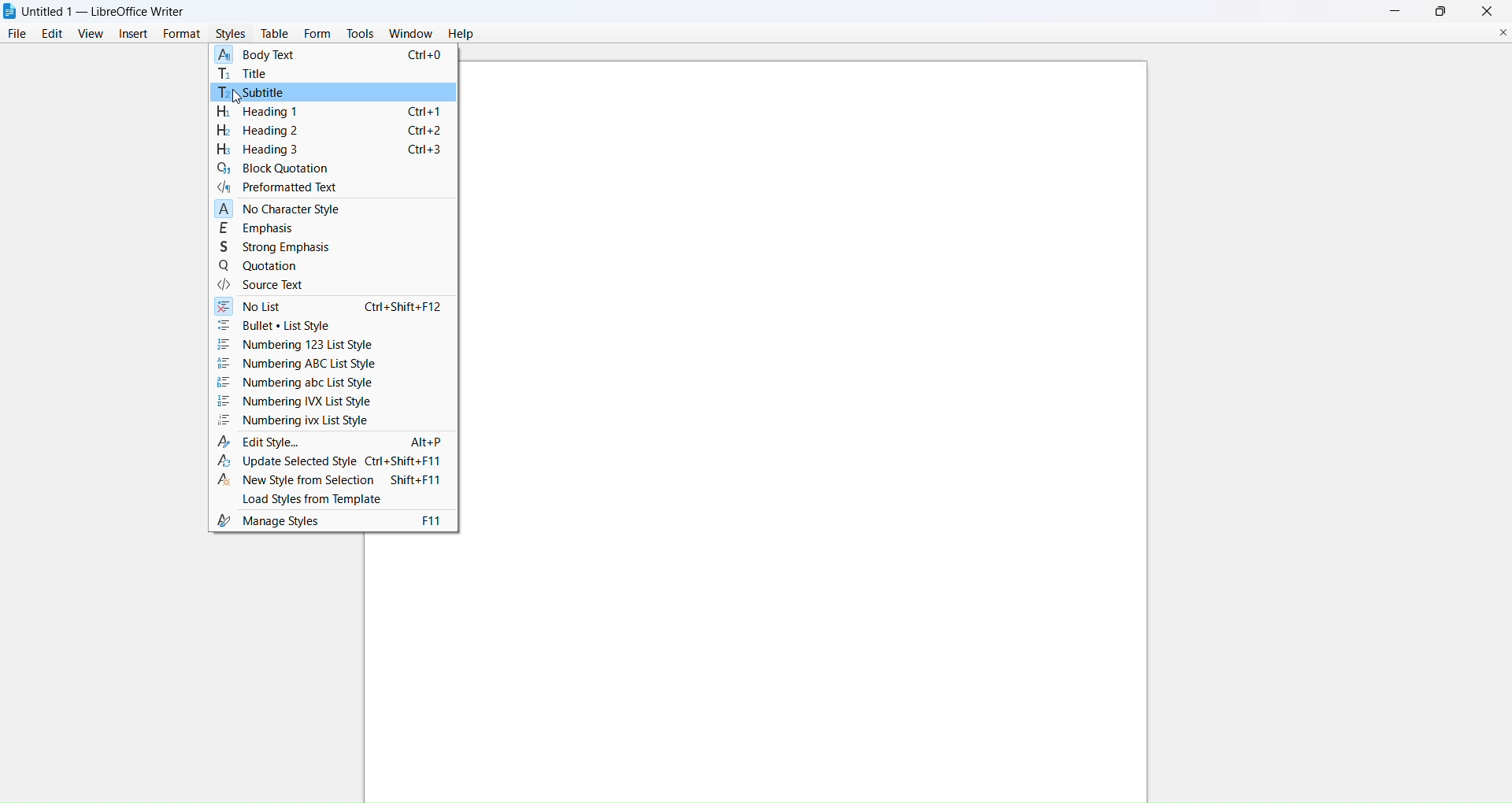 The width and height of the screenshot is (1512, 803). I want to click on numbering abc style, so click(294, 383).